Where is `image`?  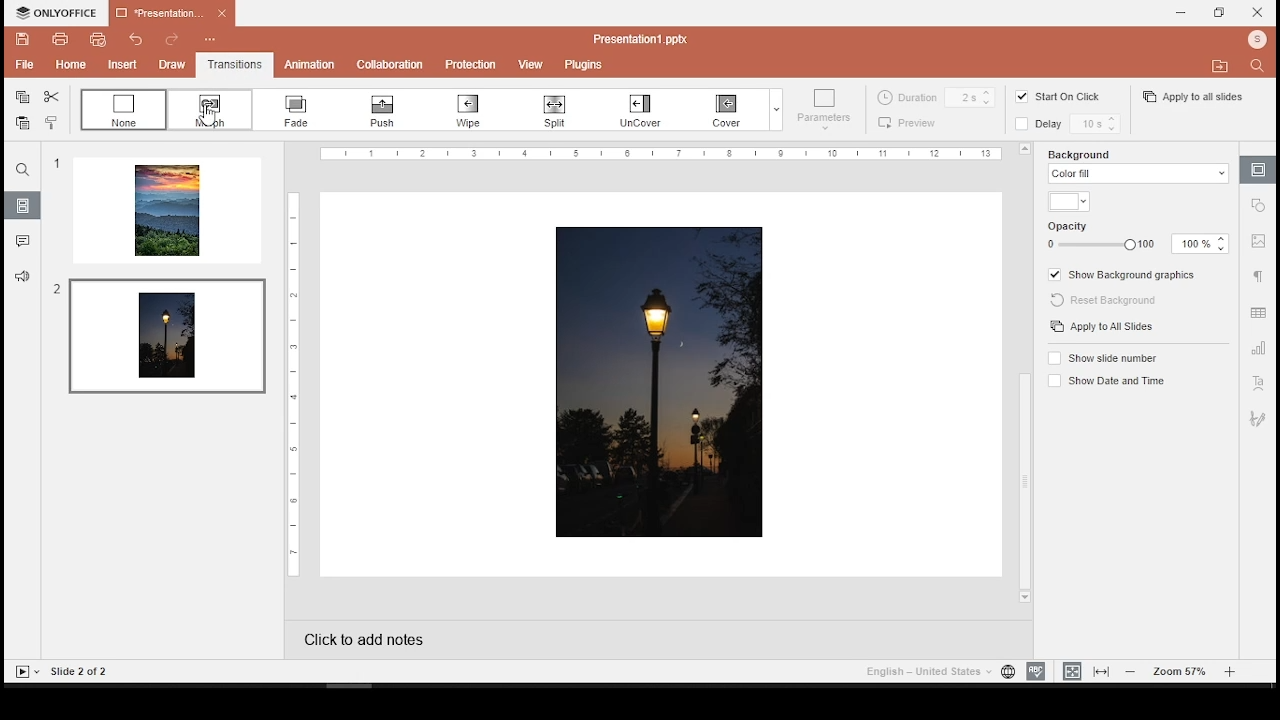 image is located at coordinates (1018, 126).